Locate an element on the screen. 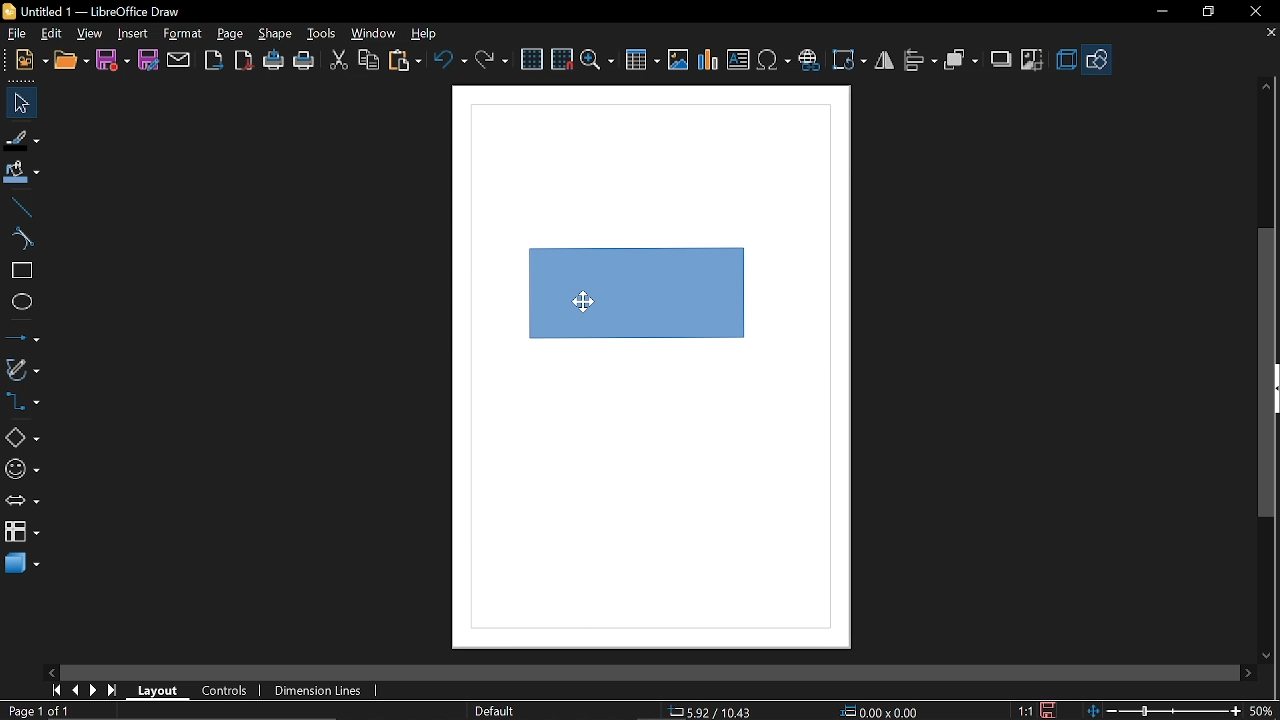 Image resolution: width=1280 pixels, height=720 pixels. flip is located at coordinates (884, 61).